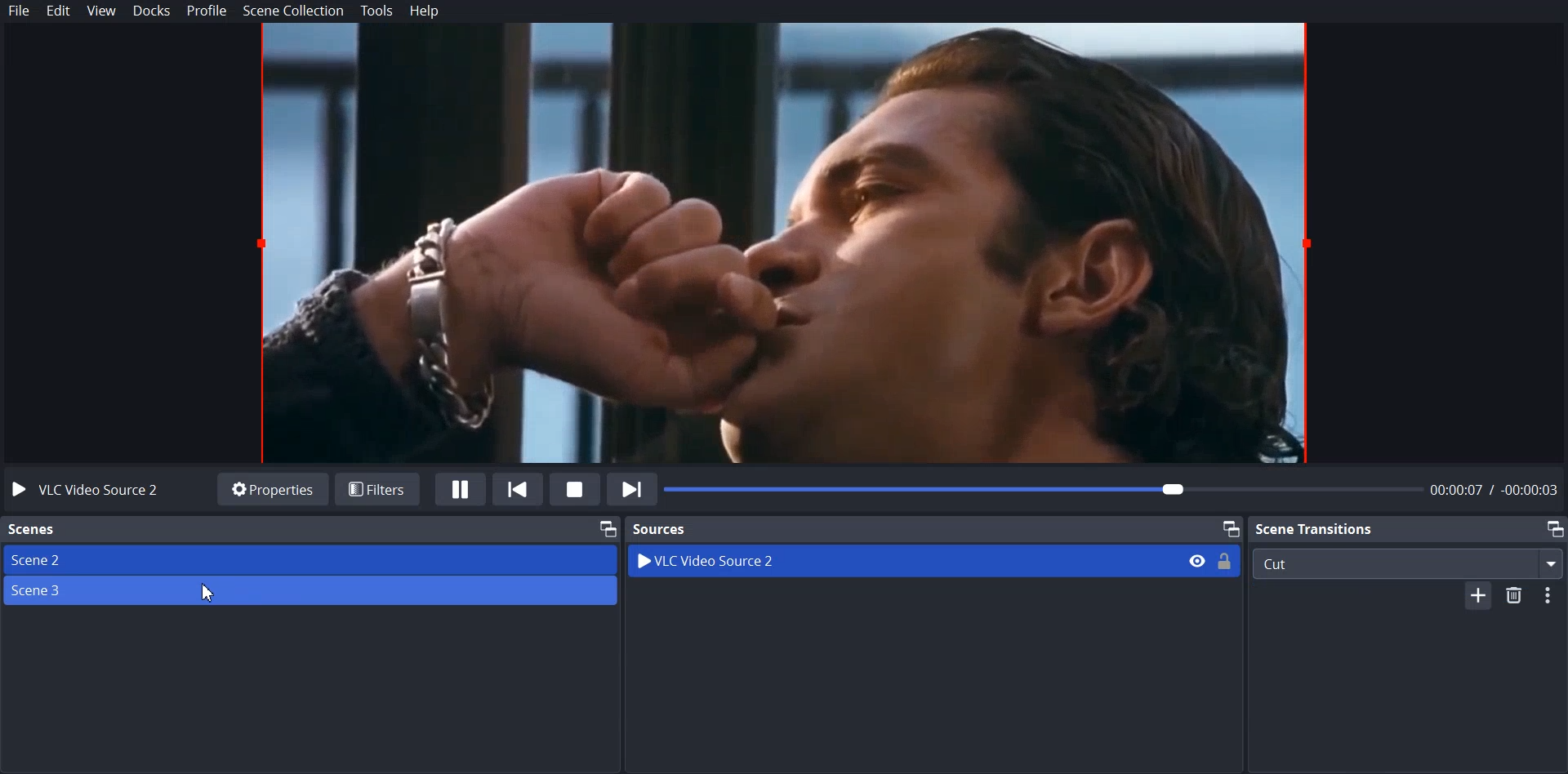 This screenshot has width=1568, height=774. I want to click on View, so click(102, 11).